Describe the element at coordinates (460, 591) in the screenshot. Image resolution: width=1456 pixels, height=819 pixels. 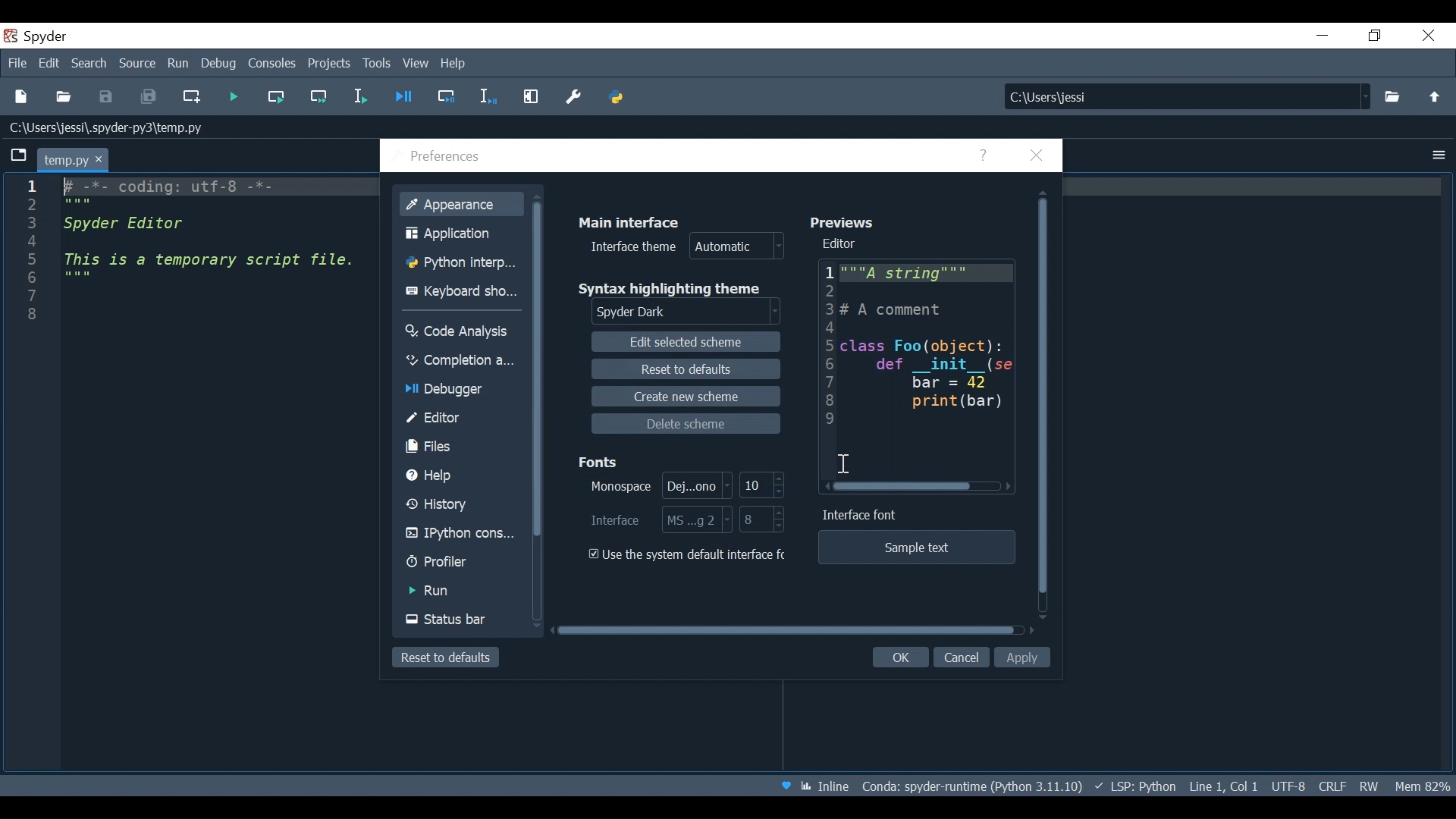
I see `Run` at that location.